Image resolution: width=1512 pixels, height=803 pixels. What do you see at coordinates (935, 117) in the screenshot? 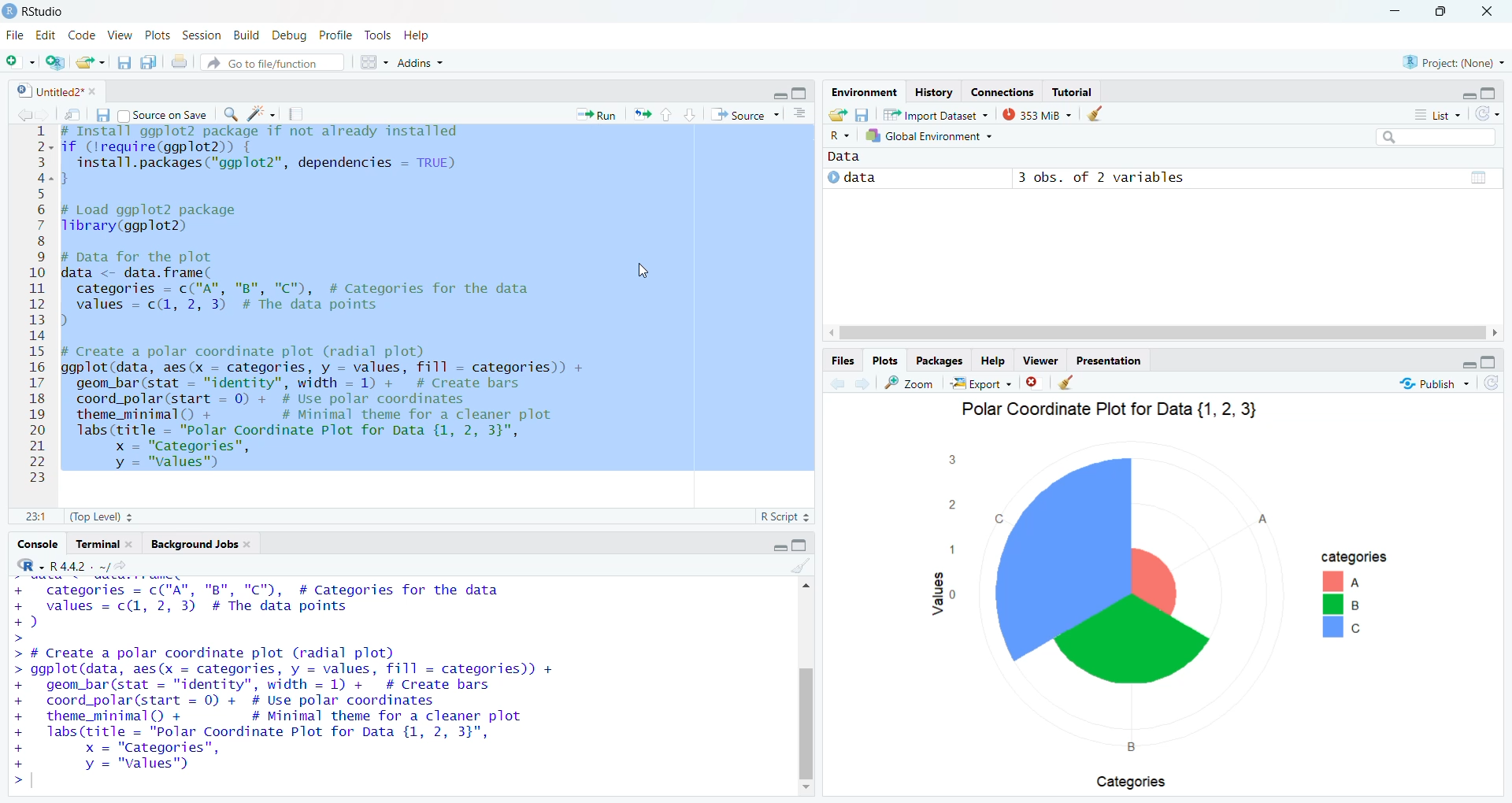
I see ` Import Dataset ~` at bounding box center [935, 117].